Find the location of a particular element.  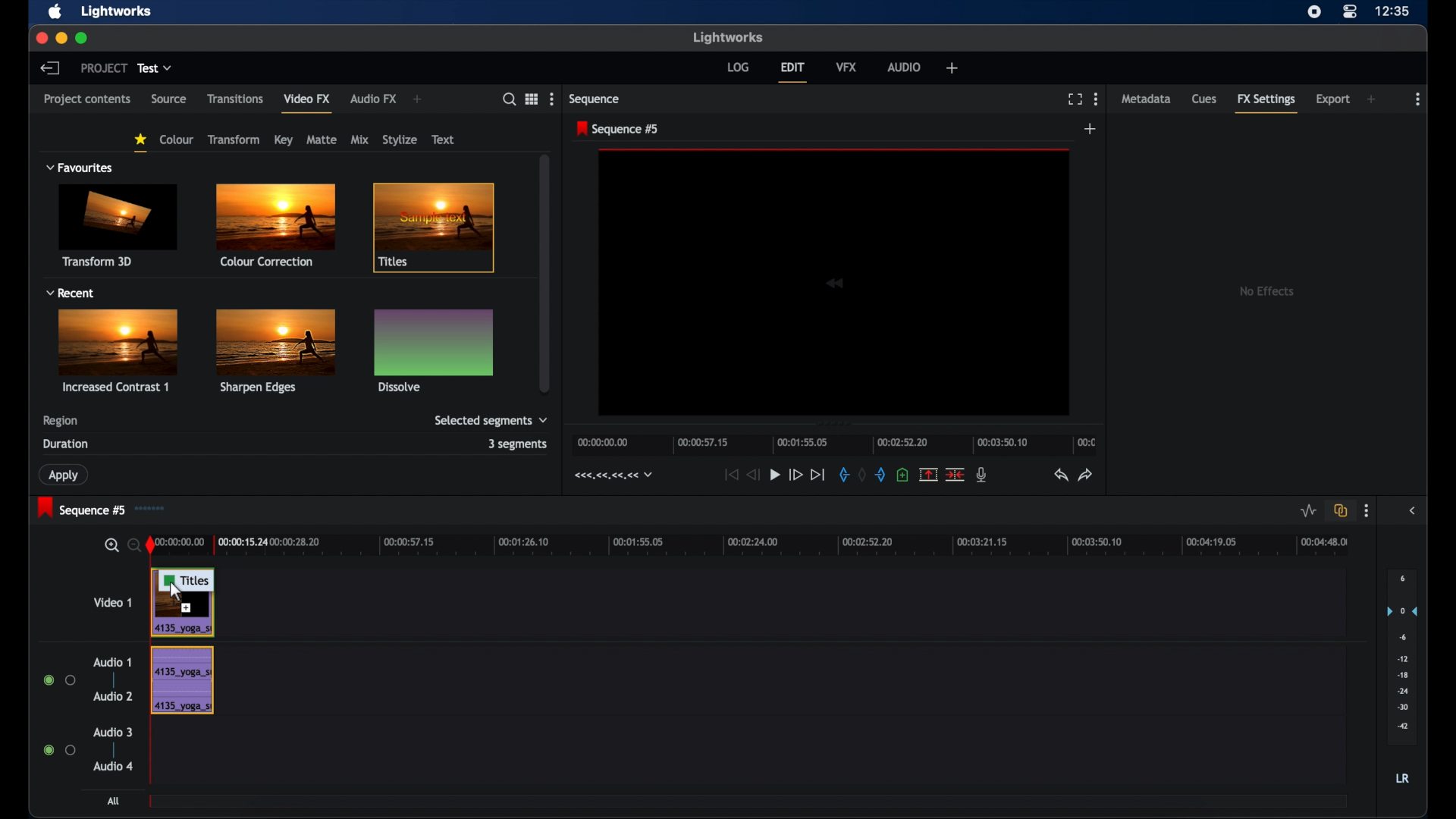

project is located at coordinates (102, 68).